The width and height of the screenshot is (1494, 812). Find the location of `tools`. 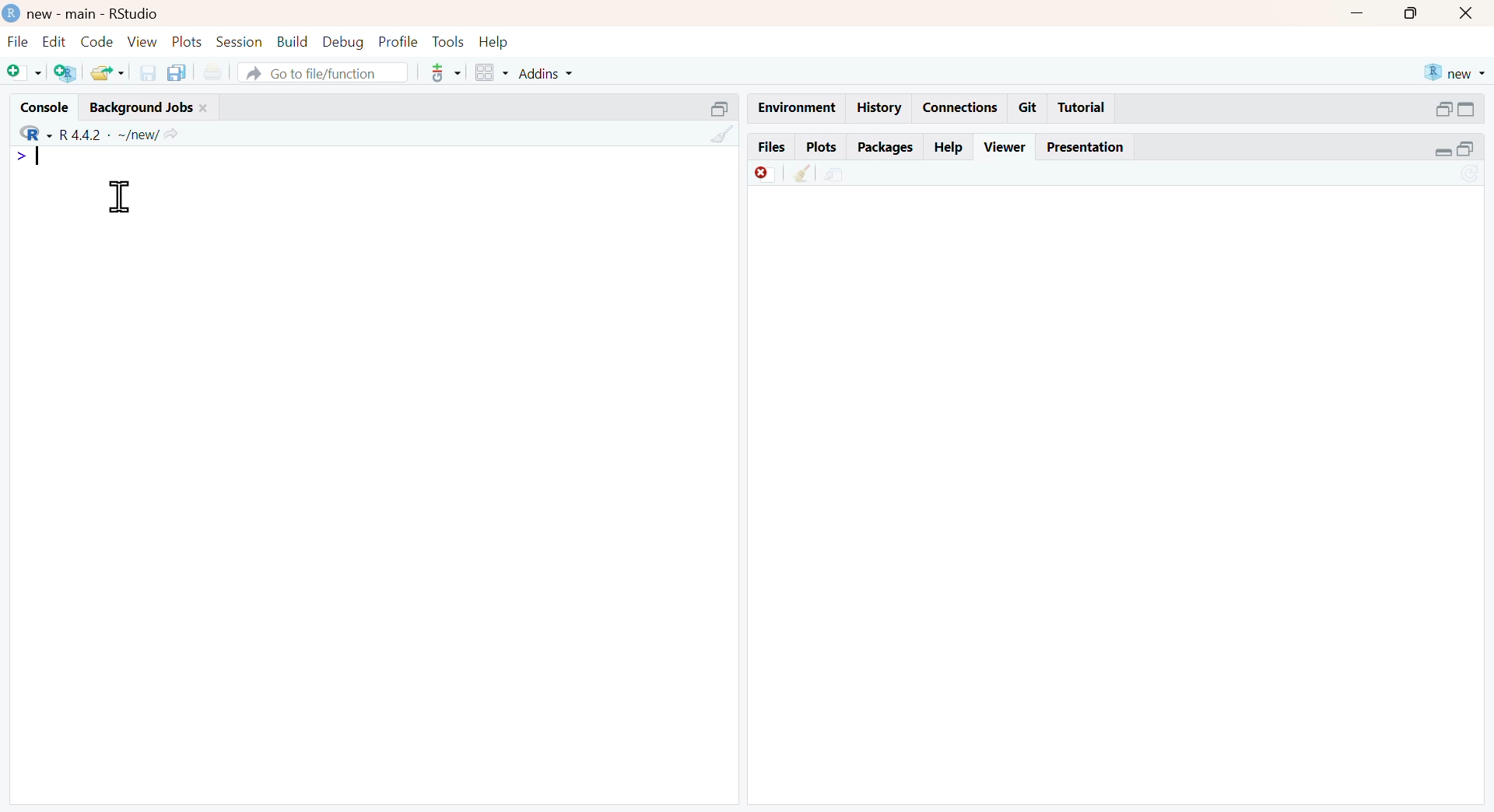

tools is located at coordinates (450, 41).